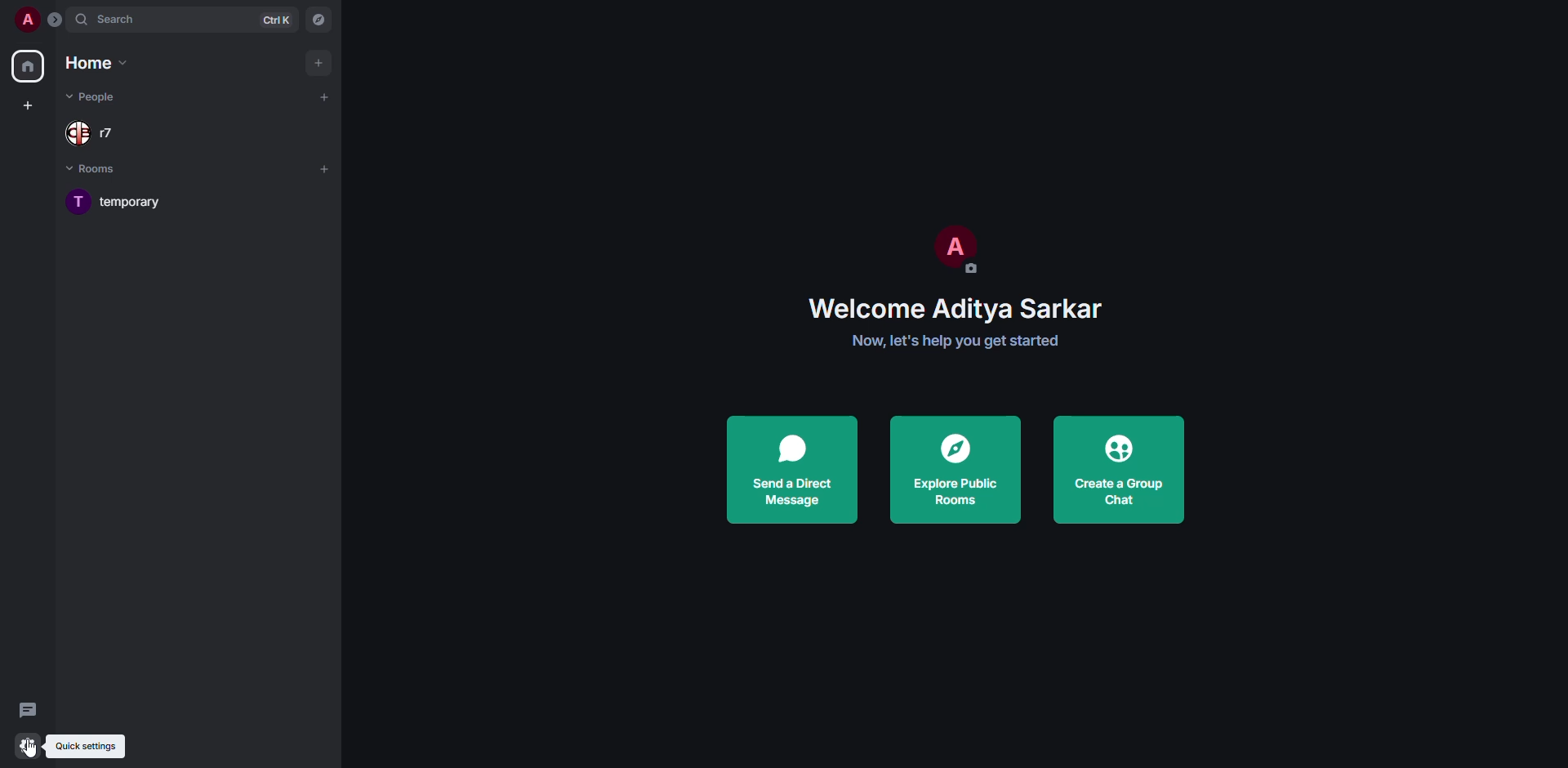 This screenshot has height=768, width=1568. Describe the element at coordinates (319, 60) in the screenshot. I see `add` at that location.